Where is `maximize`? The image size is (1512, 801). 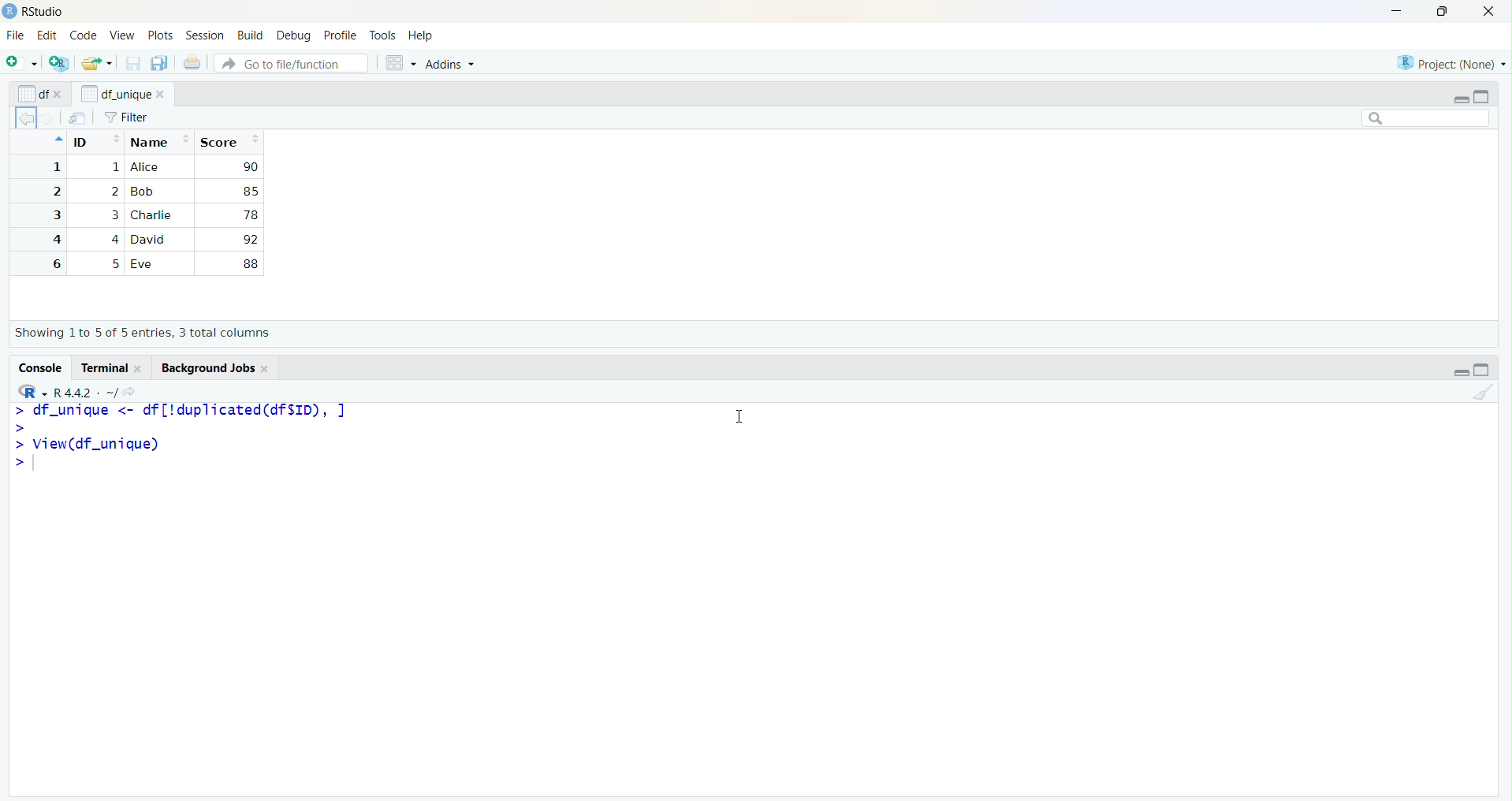
maximize is located at coordinates (1482, 370).